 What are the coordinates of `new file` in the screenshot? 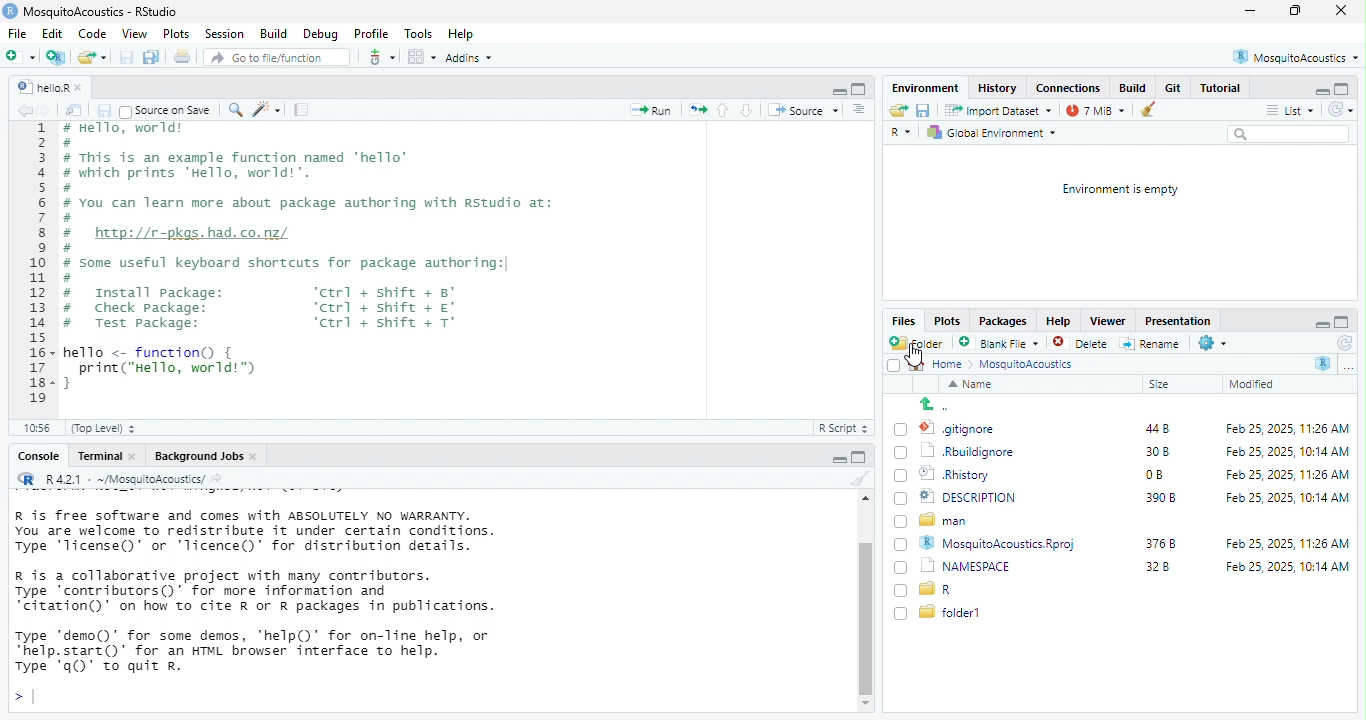 It's located at (23, 56).